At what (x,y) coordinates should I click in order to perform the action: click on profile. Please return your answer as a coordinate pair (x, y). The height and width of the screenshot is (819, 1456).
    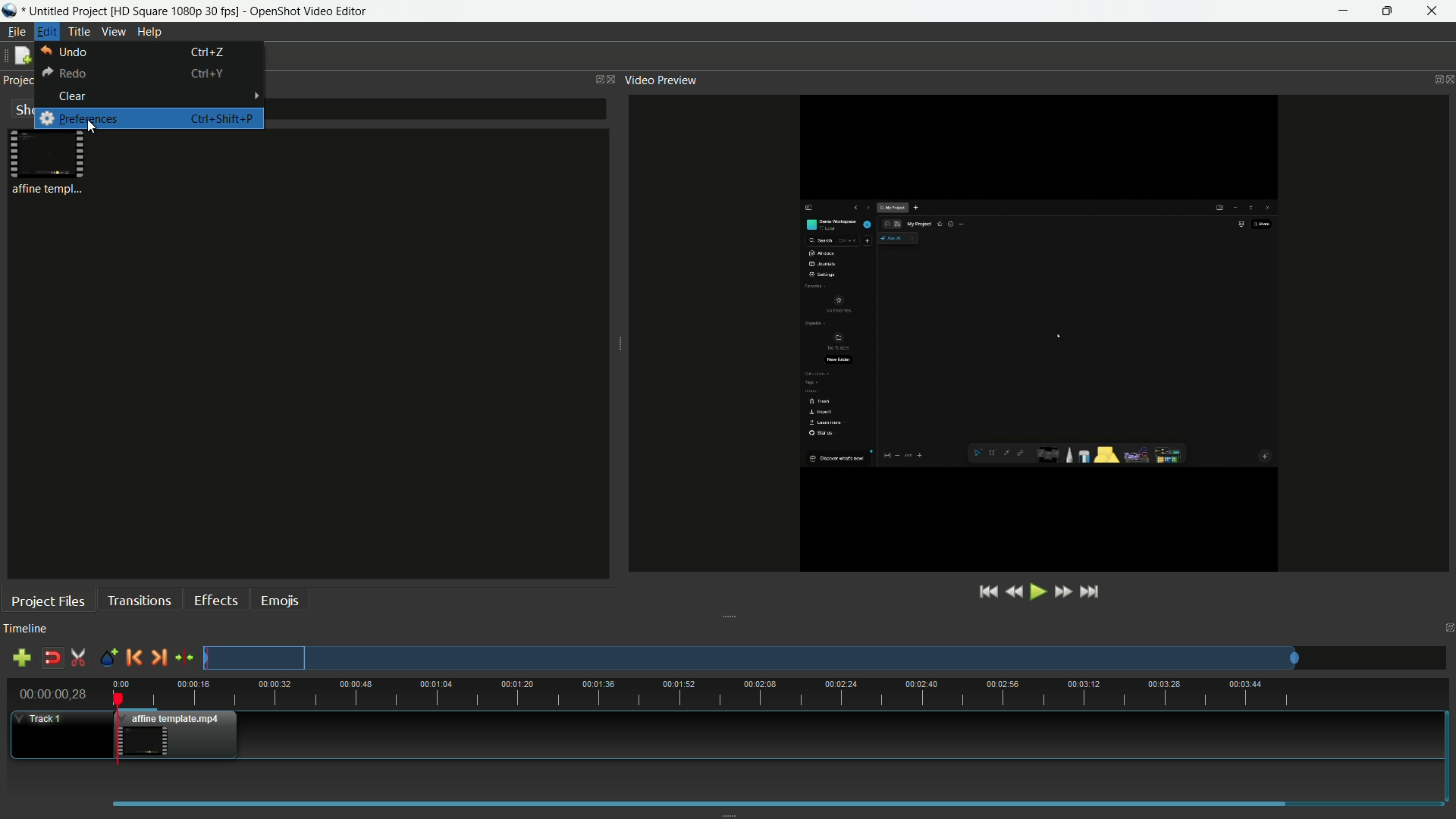
    Looking at the image, I should click on (177, 11).